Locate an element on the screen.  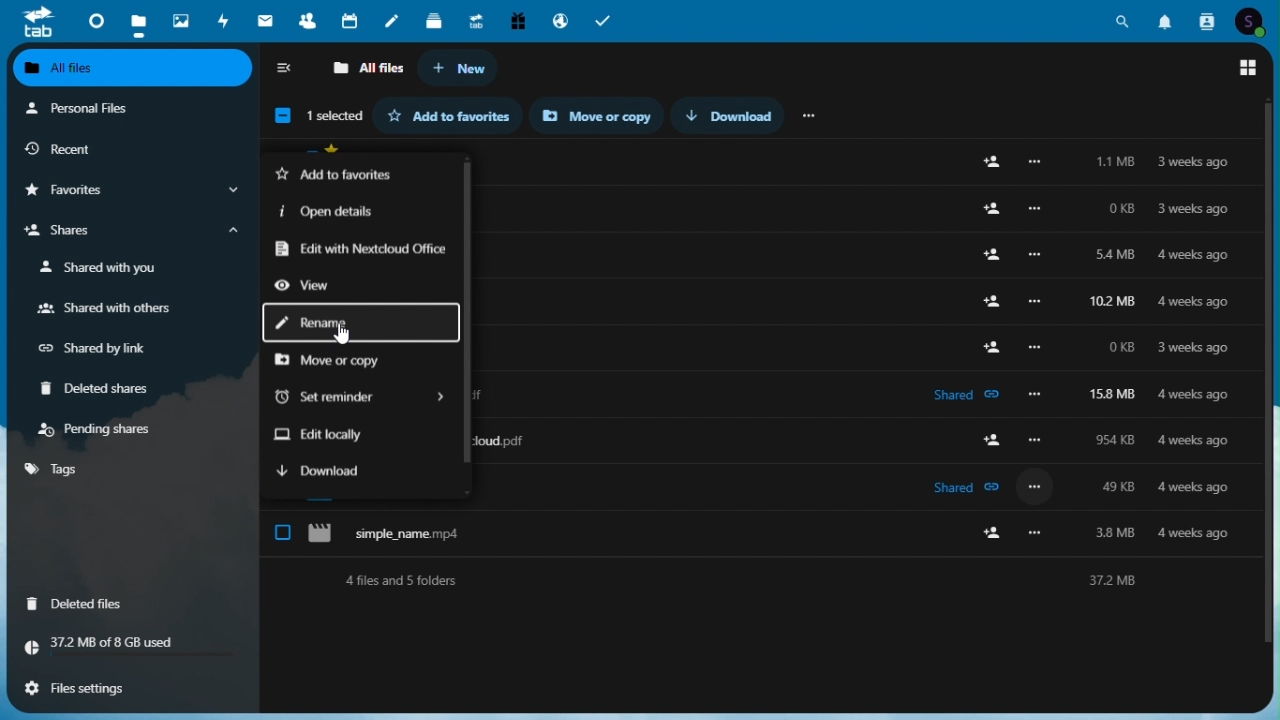
files is located at coordinates (137, 21).